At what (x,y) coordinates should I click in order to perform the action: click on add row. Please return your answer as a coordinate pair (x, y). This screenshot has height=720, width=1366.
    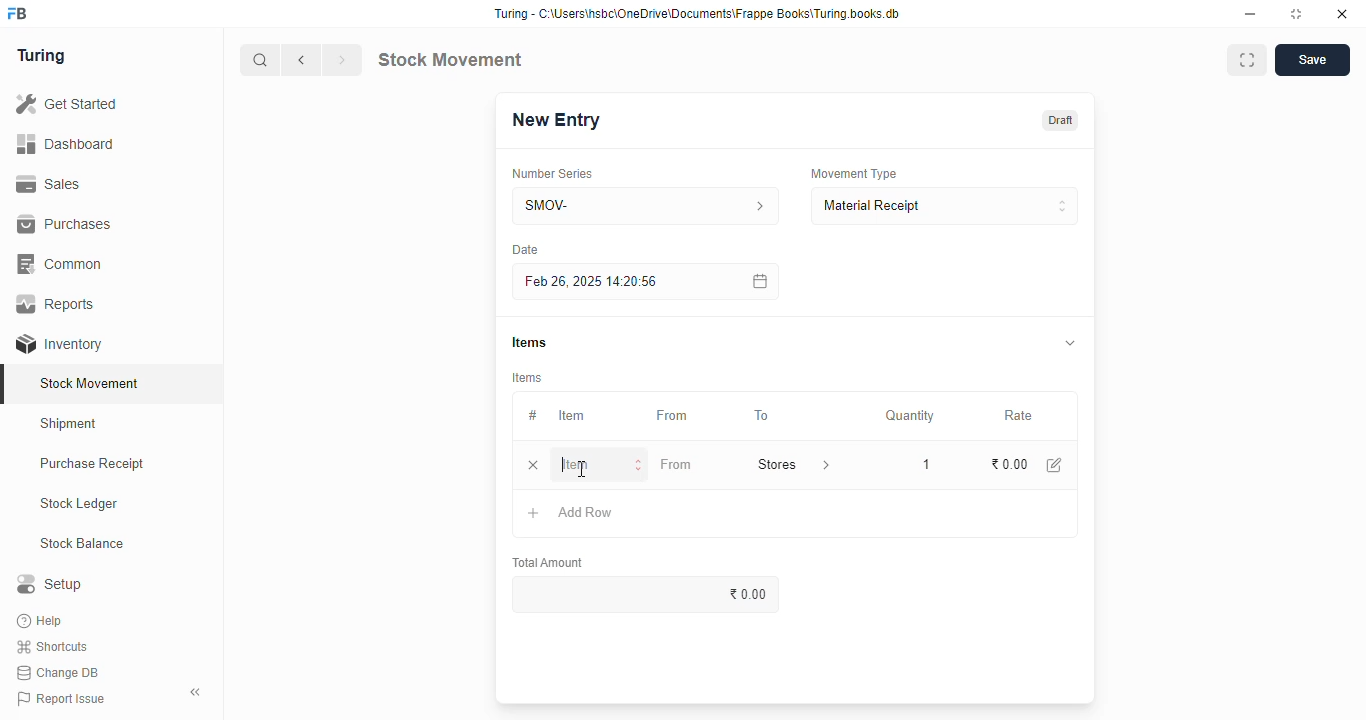
    Looking at the image, I should click on (586, 512).